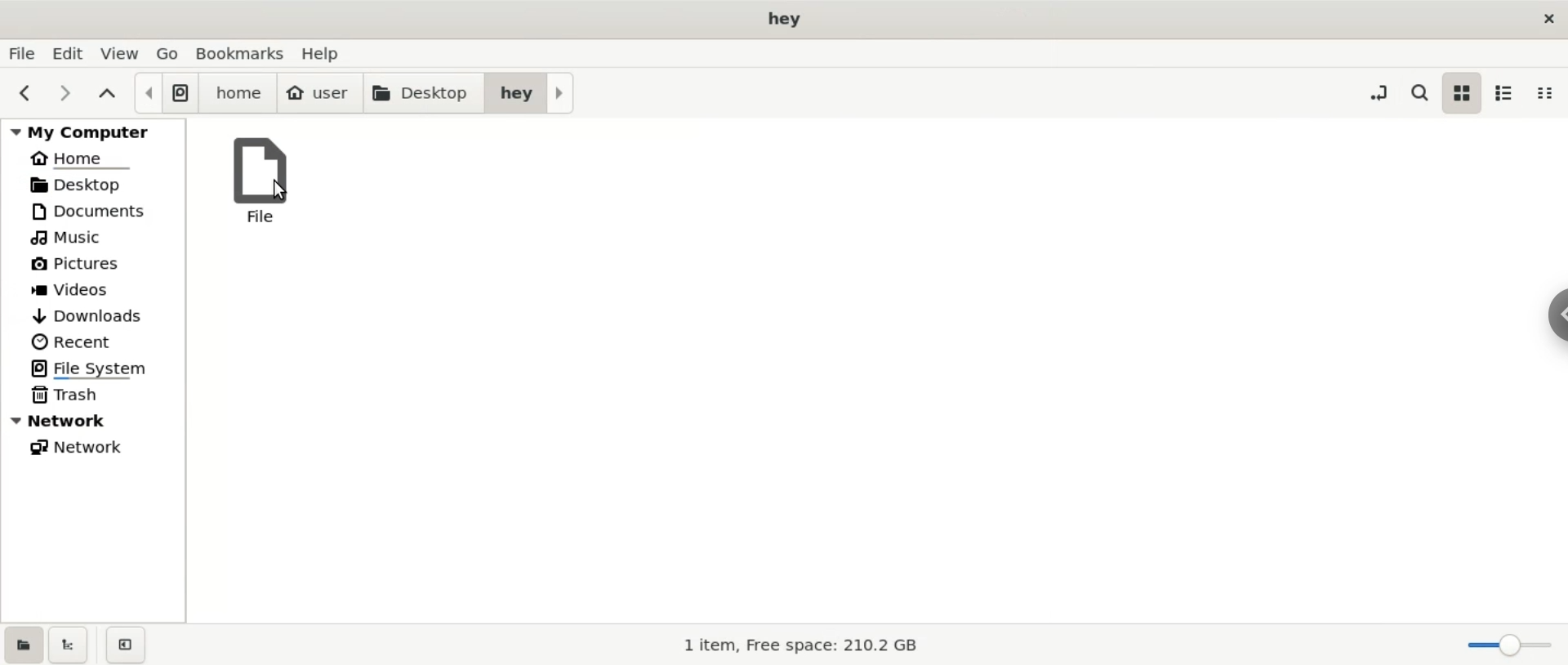  Describe the element at coordinates (27, 94) in the screenshot. I see `previous` at that location.